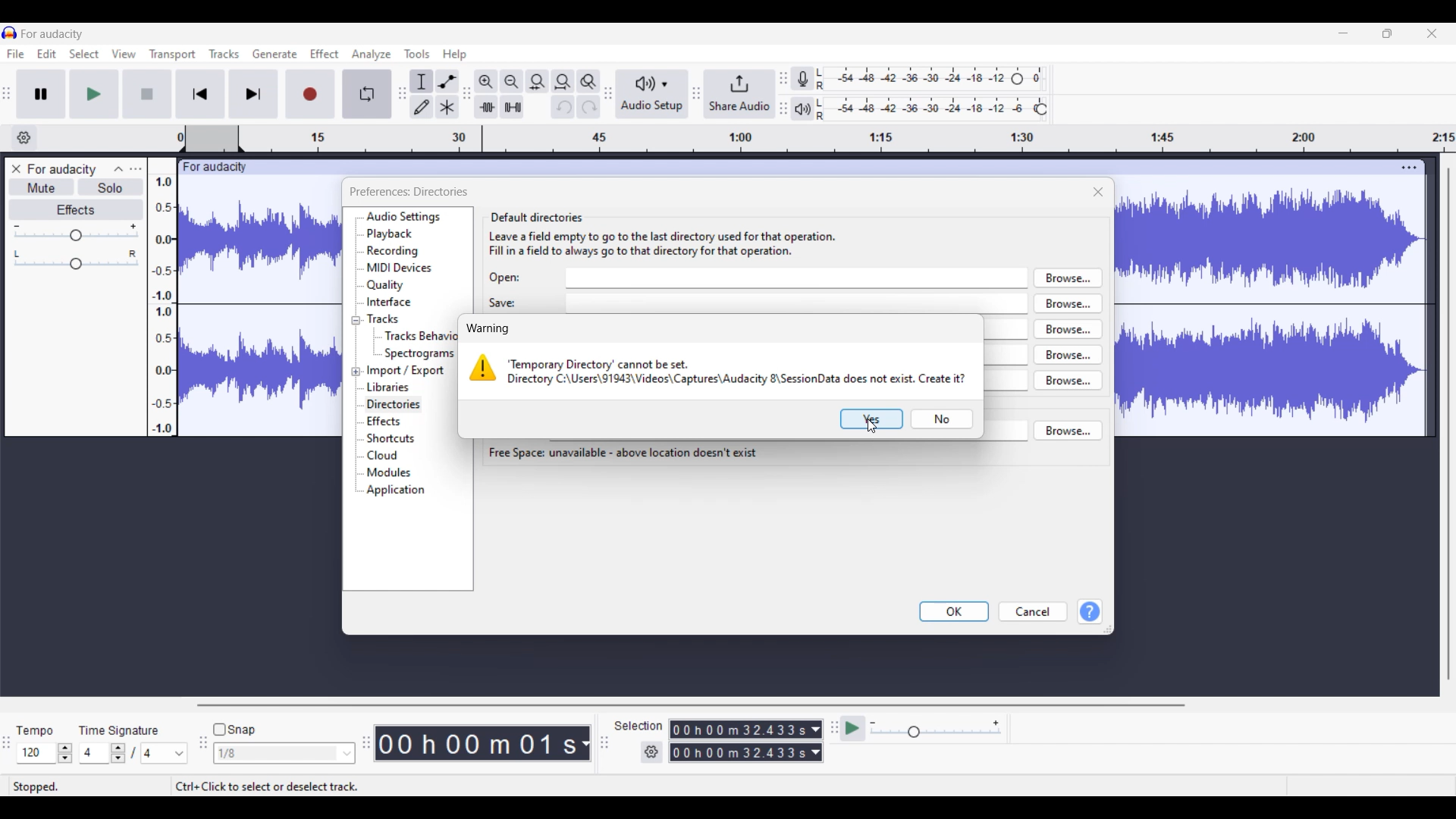 The width and height of the screenshot is (1456, 819). Describe the element at coordinates (447, 82) in the screenshot. I see `Envelop tool` at that location.